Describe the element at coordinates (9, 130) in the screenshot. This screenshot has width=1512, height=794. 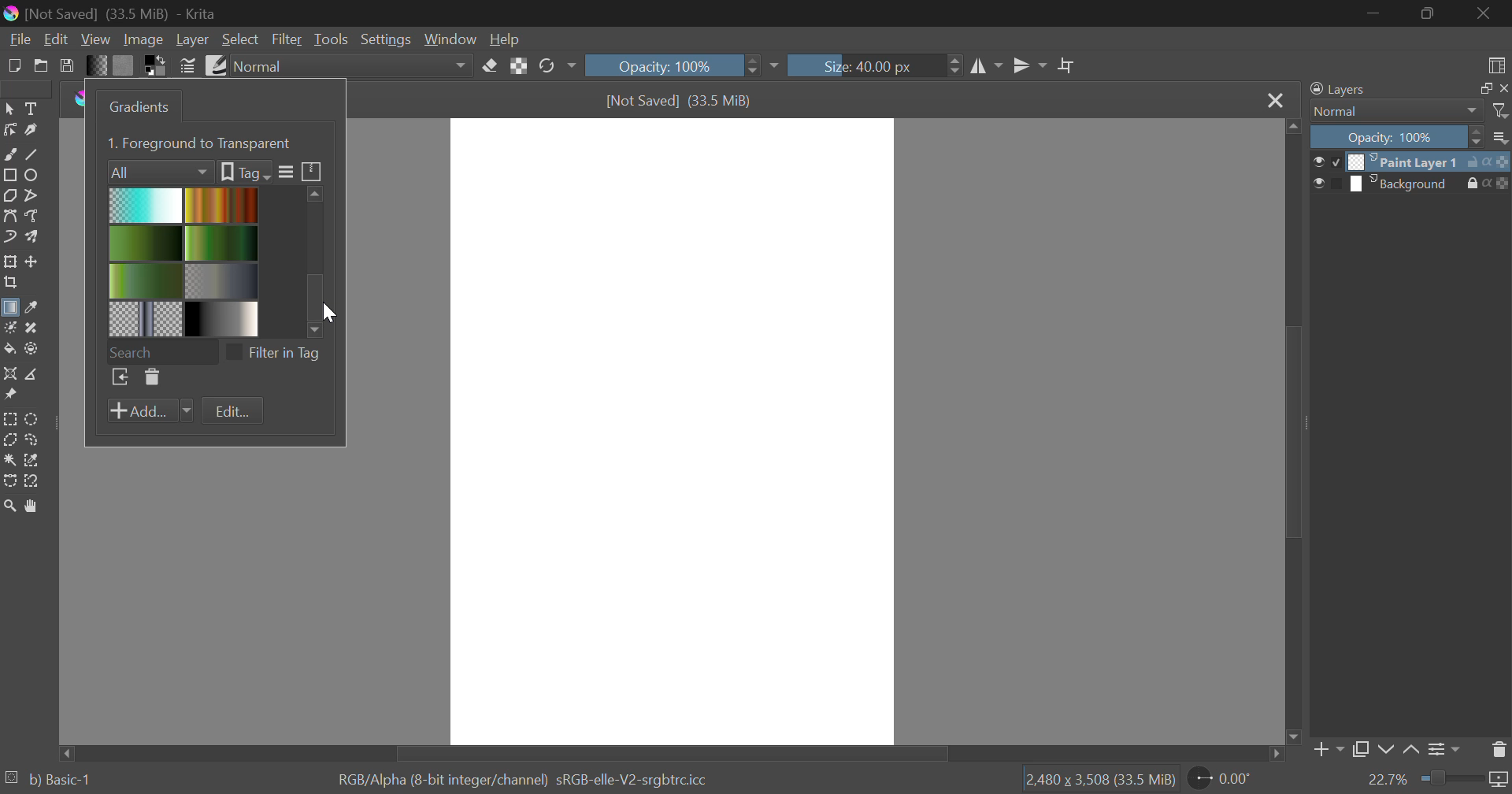
I see `Edit Shapes` at that location.